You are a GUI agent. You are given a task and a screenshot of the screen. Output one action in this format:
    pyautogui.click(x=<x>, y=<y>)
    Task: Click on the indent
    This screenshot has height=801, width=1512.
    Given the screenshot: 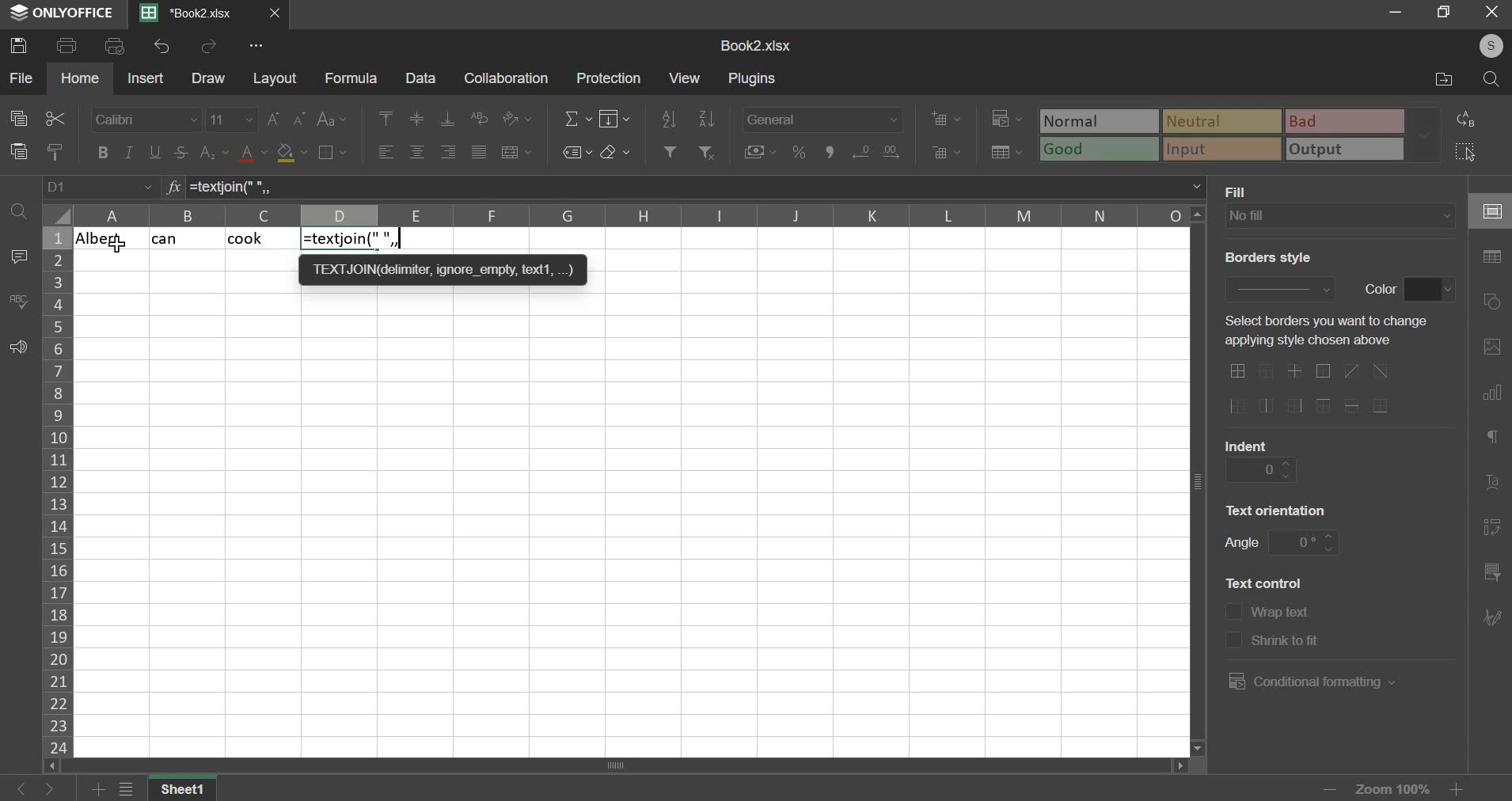 What is the action you would take?
    pyautogui.click(x=1261, y=469)
    